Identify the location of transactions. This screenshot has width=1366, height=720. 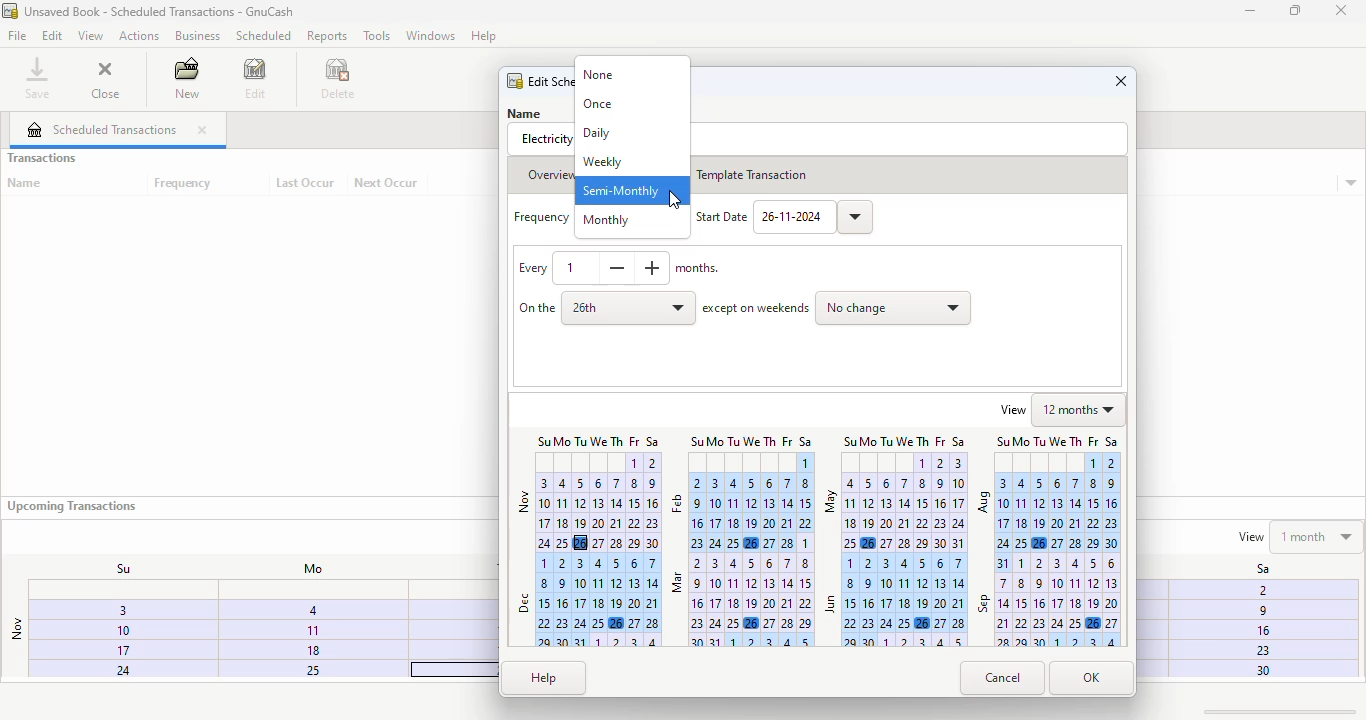
(41, 158).